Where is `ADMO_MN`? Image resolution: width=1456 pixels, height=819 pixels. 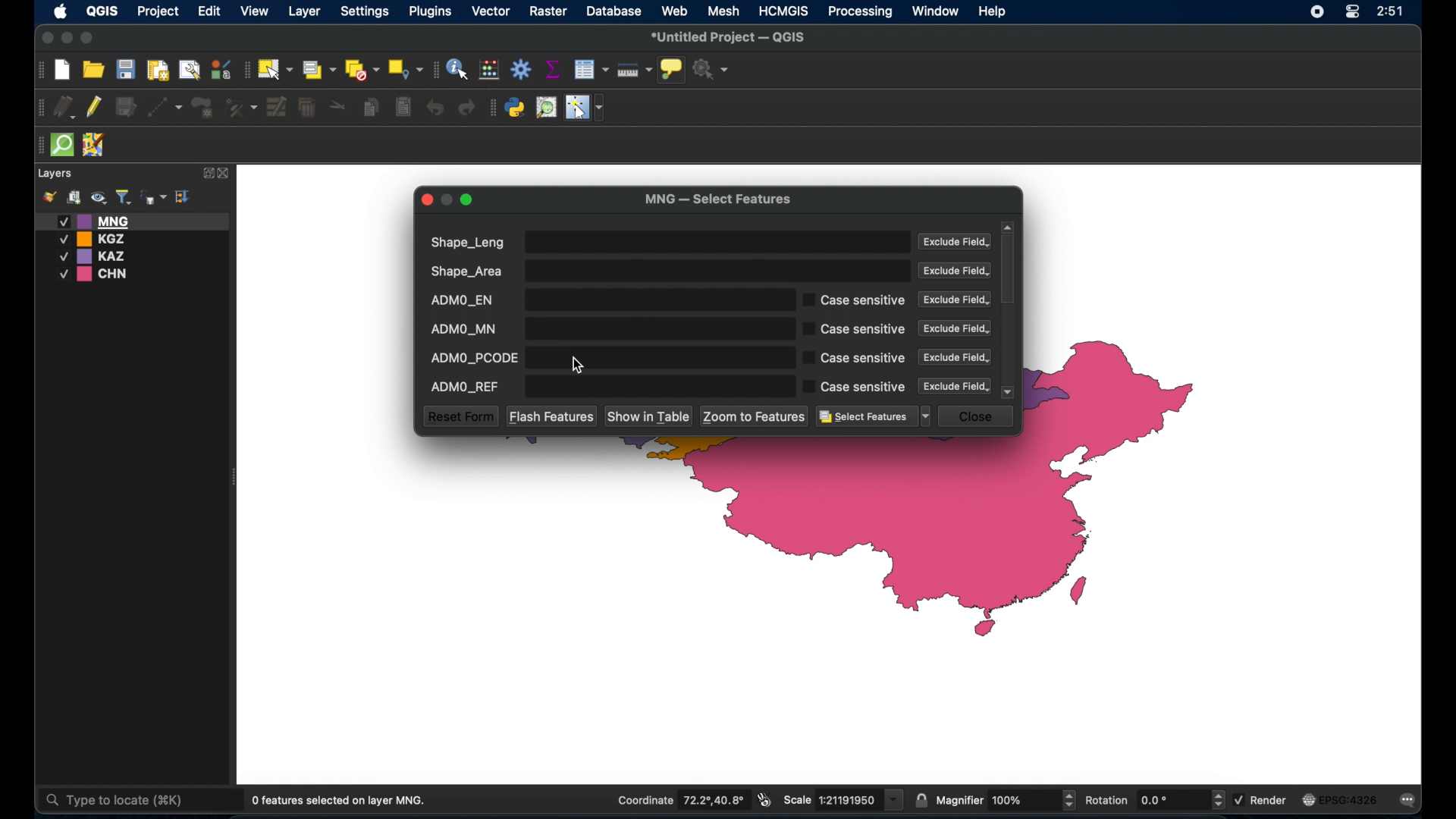 ADMO_MN is located at coordinates (606, 328).